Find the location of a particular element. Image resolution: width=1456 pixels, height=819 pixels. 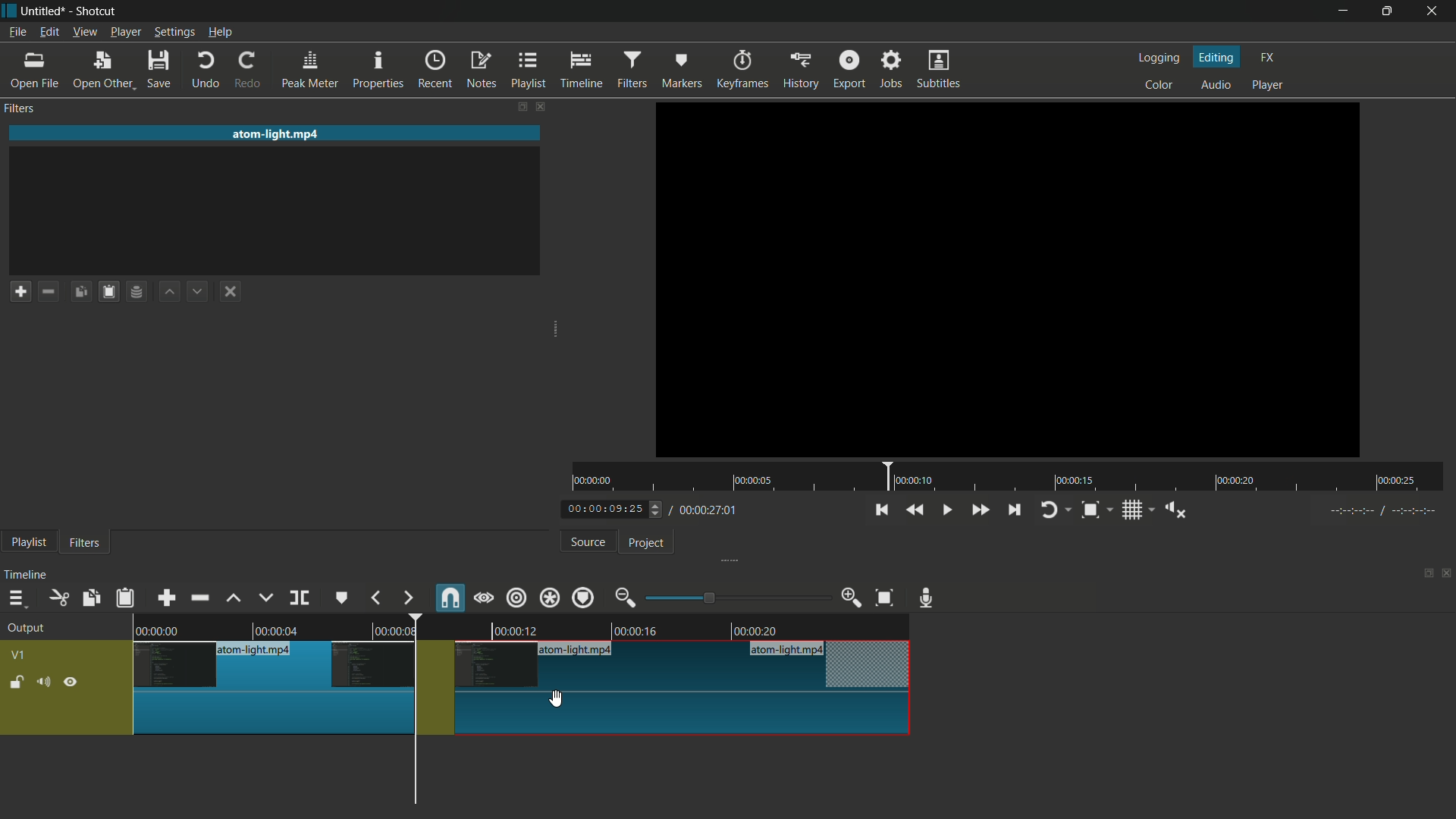

color is located at coordinates (1159, 83).